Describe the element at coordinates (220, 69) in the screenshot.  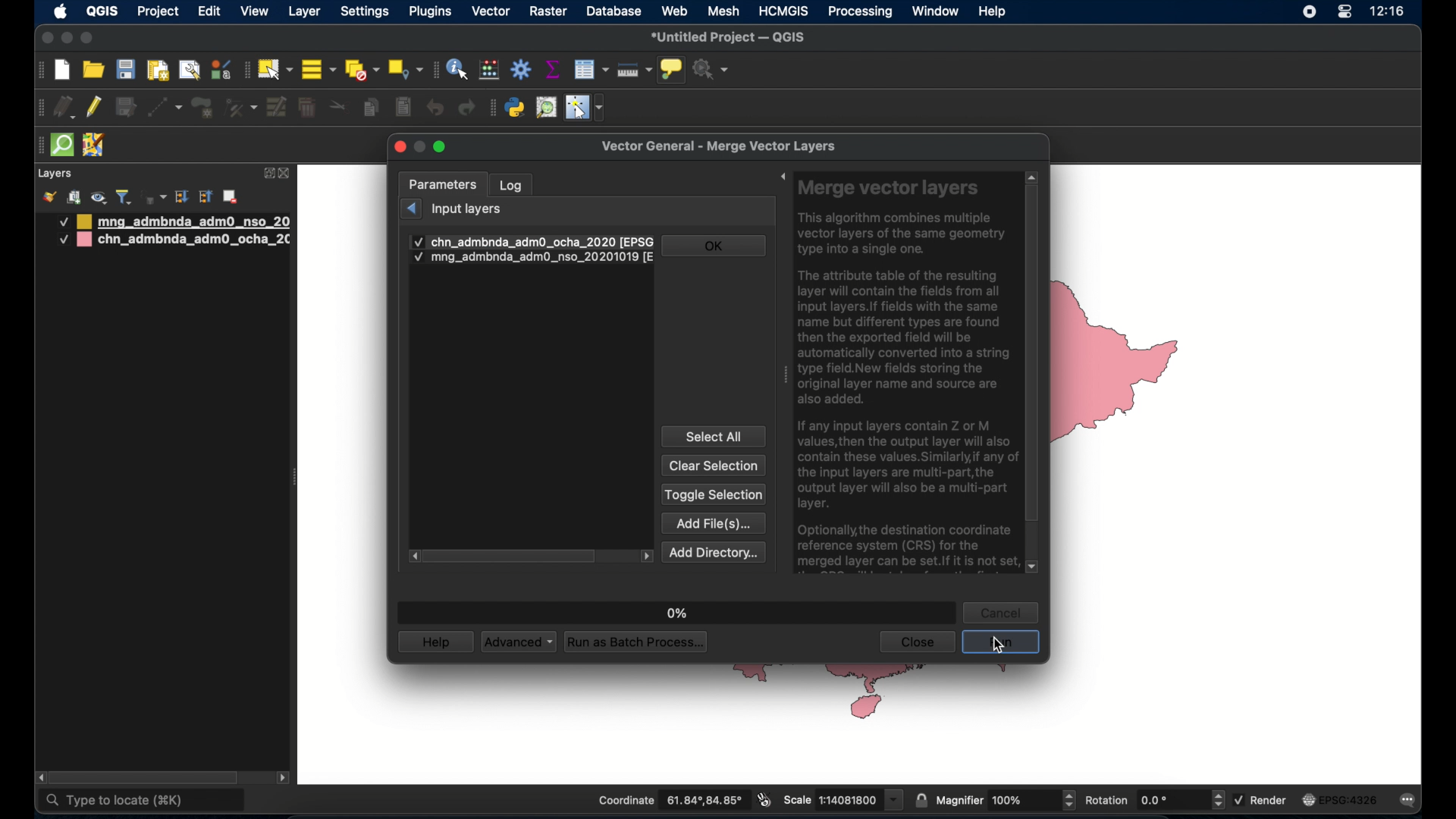
I see `style manager` at that location.